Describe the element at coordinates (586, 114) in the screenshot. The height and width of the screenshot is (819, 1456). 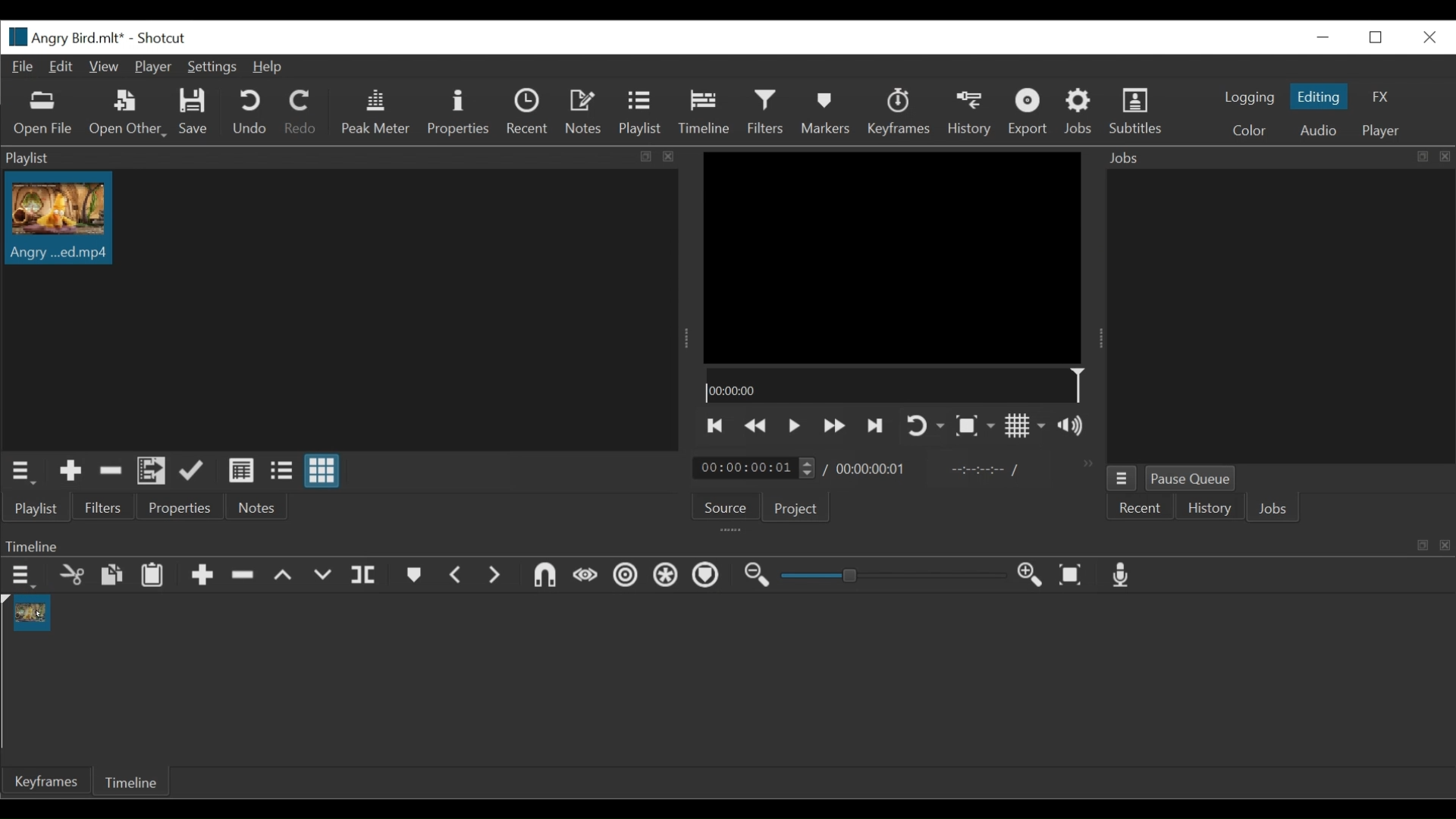
I see `Notes` at that location.